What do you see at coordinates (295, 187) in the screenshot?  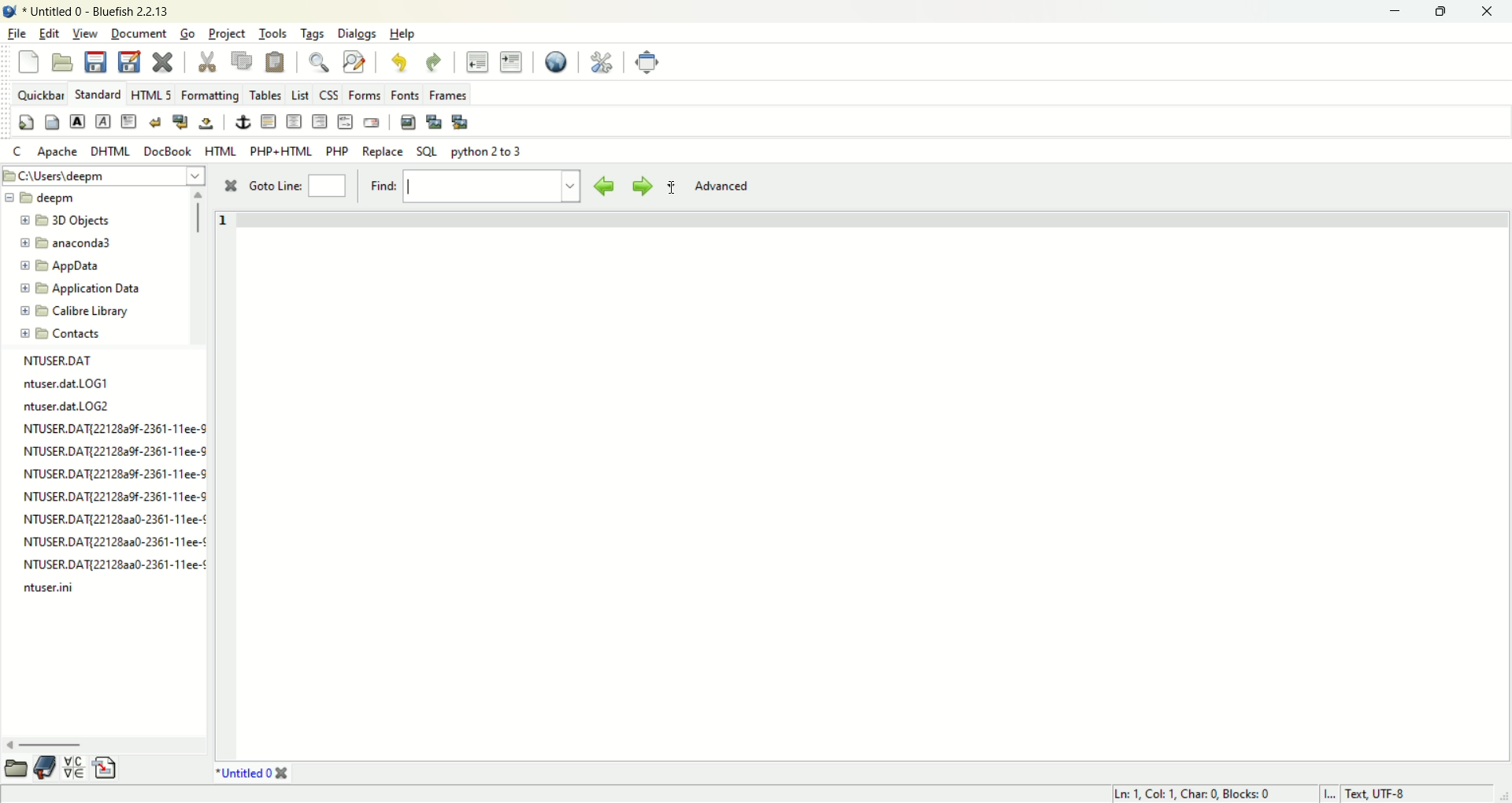 I see `goto line` at bounding box center [295, 187].